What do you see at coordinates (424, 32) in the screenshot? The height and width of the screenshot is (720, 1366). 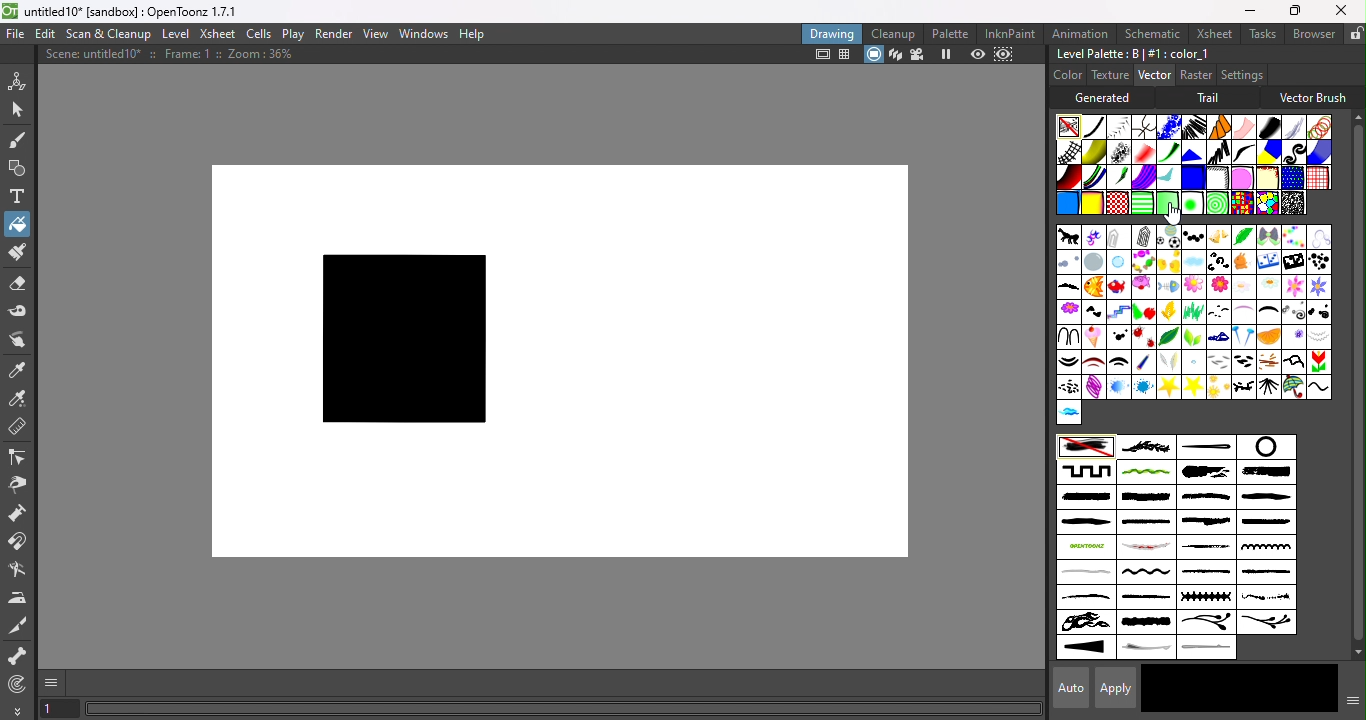 I see `Windows` at bounding box center [424, 32].